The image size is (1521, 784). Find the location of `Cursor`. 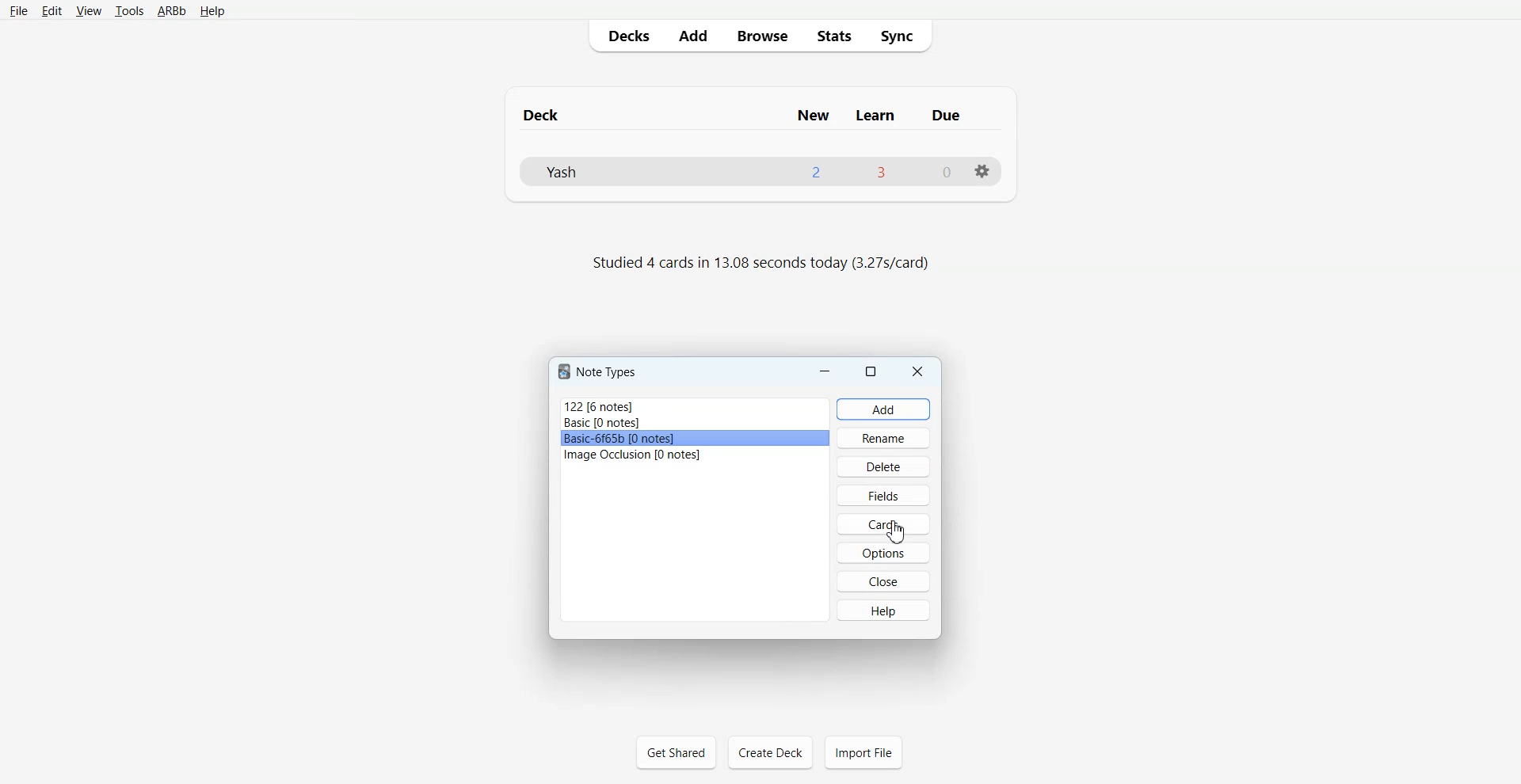

Cursor is located at coordinates (897, 533).